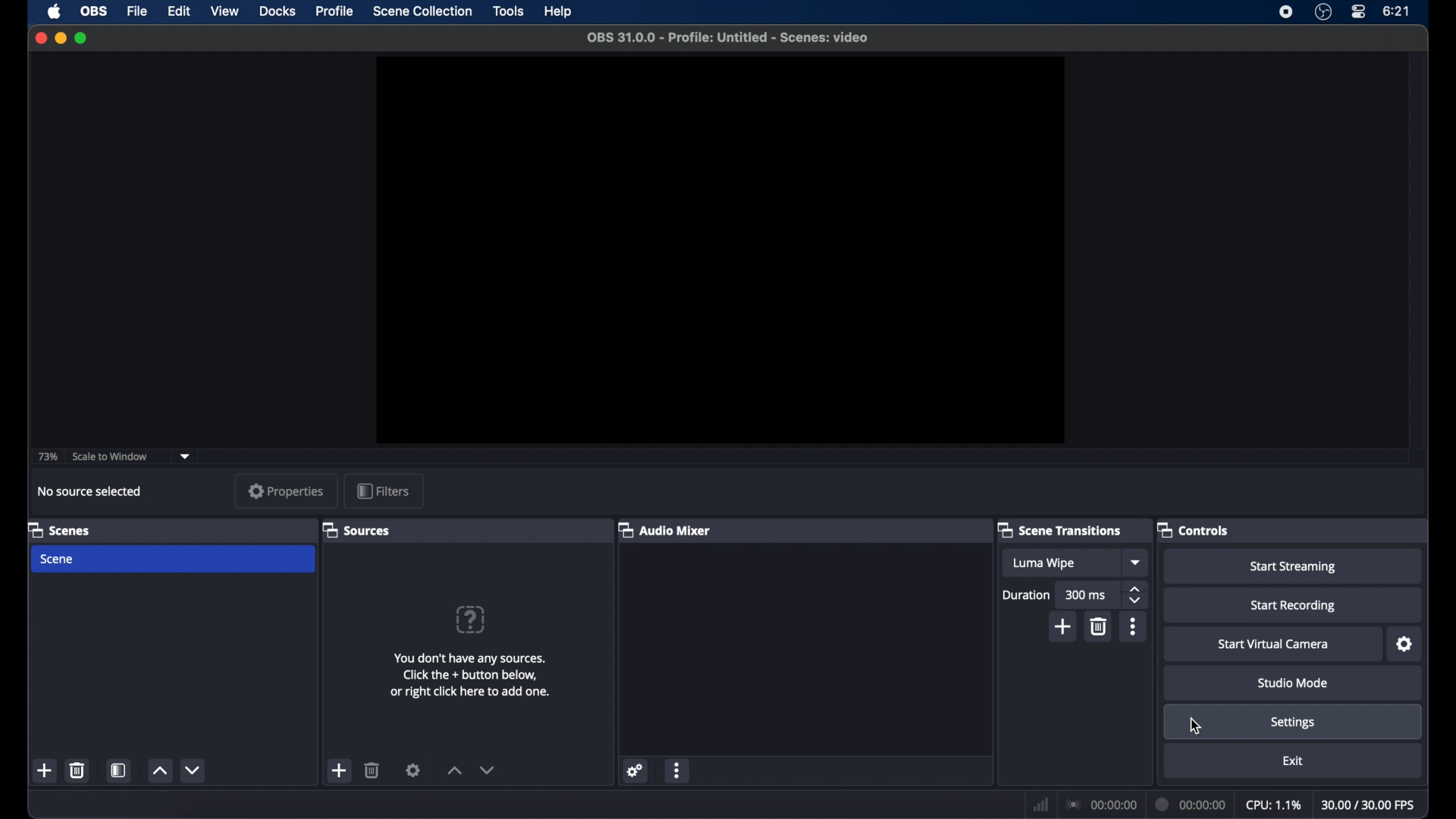  I want to click on decrement, so click(195, 770).